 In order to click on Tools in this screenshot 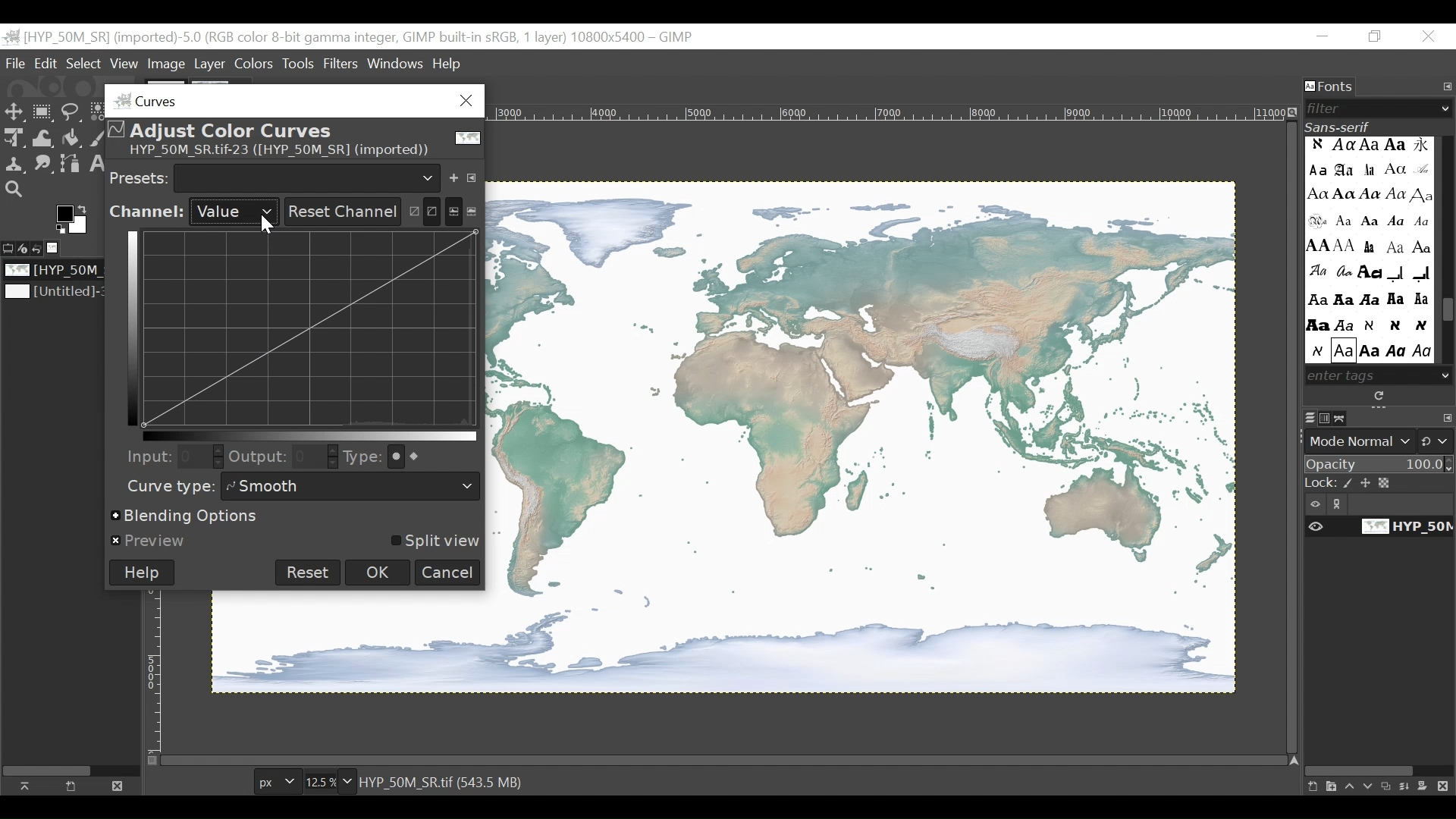, I will do `click(302, 63)`.